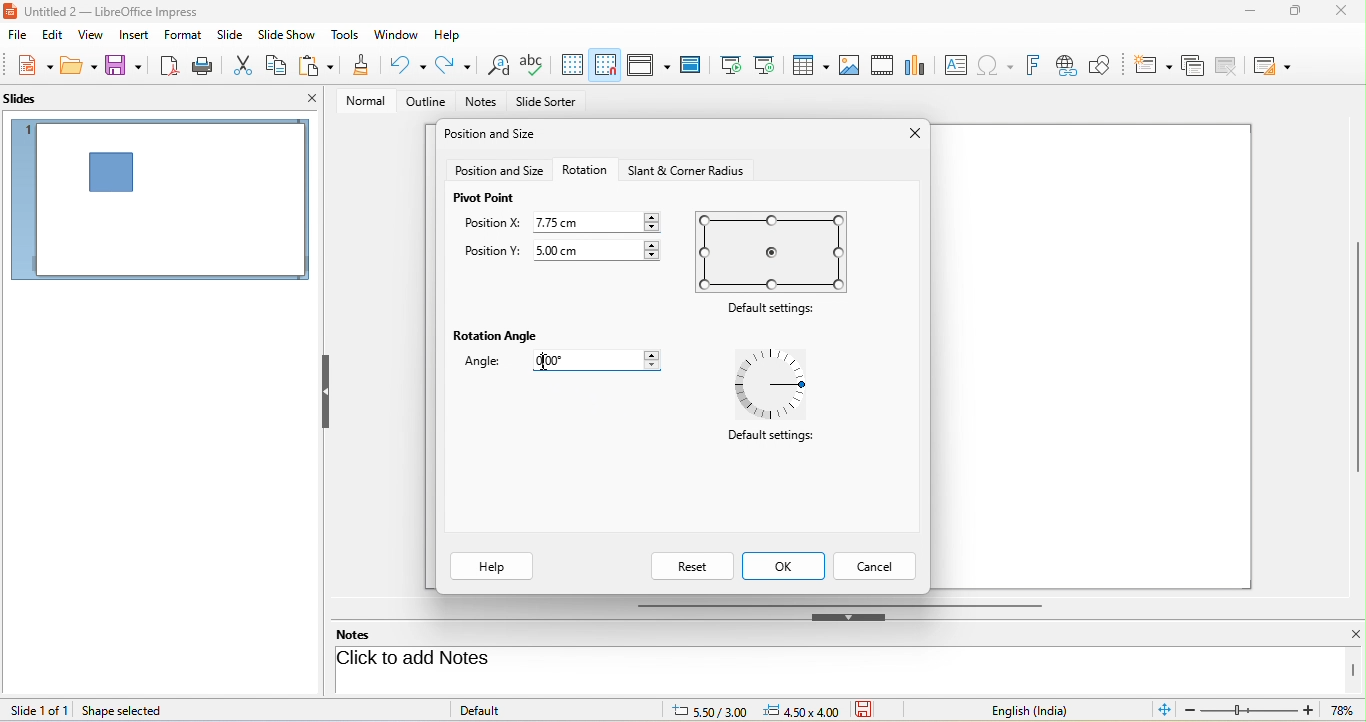 This screenshot has height=722, width=1366. What do you see at coordinates (290, 35) in the screenshot?
I see `slide show` at bounding box center [290, 35].